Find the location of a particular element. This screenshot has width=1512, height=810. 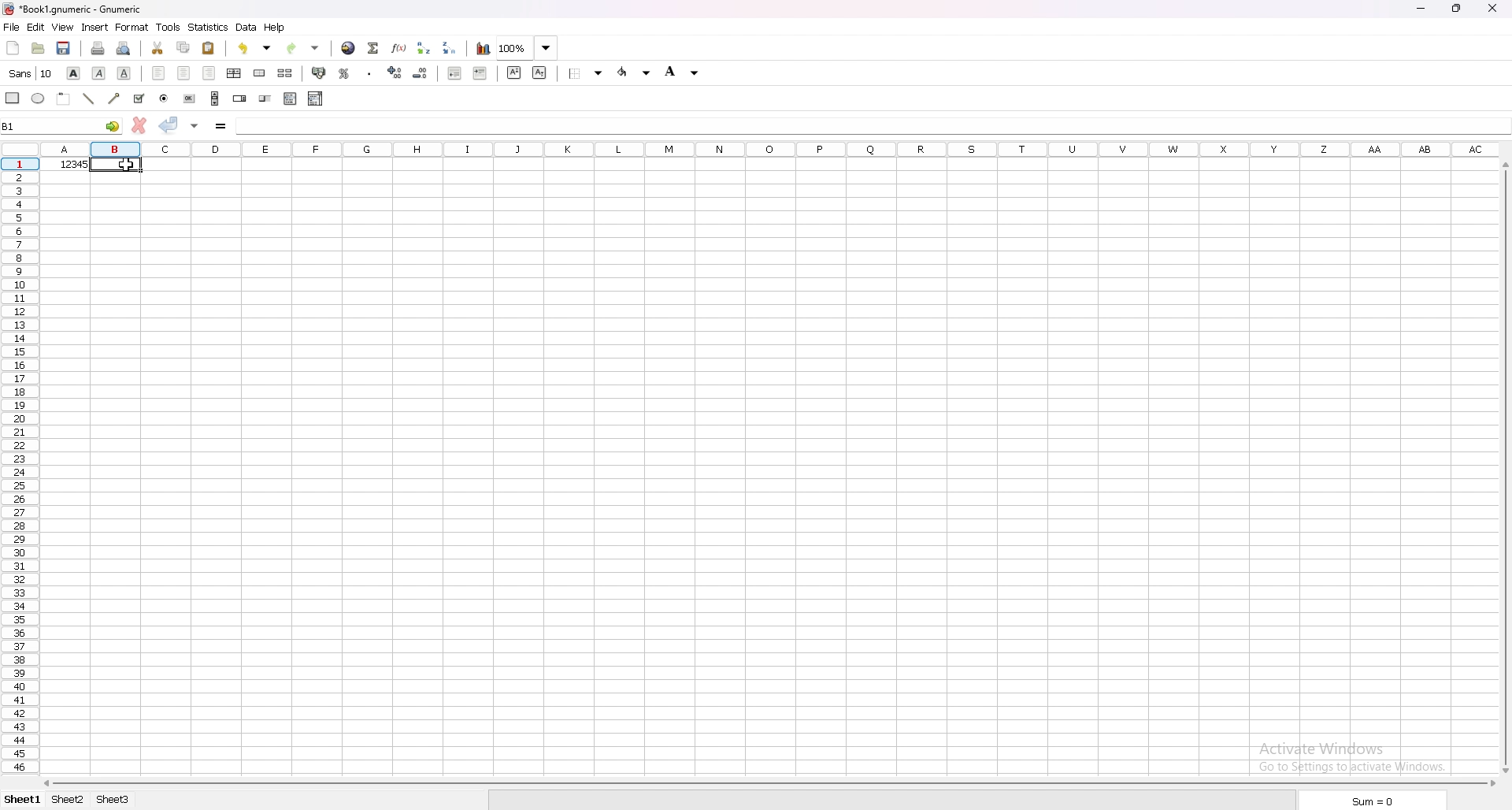

accept changes is located at coordinates (169, 126).